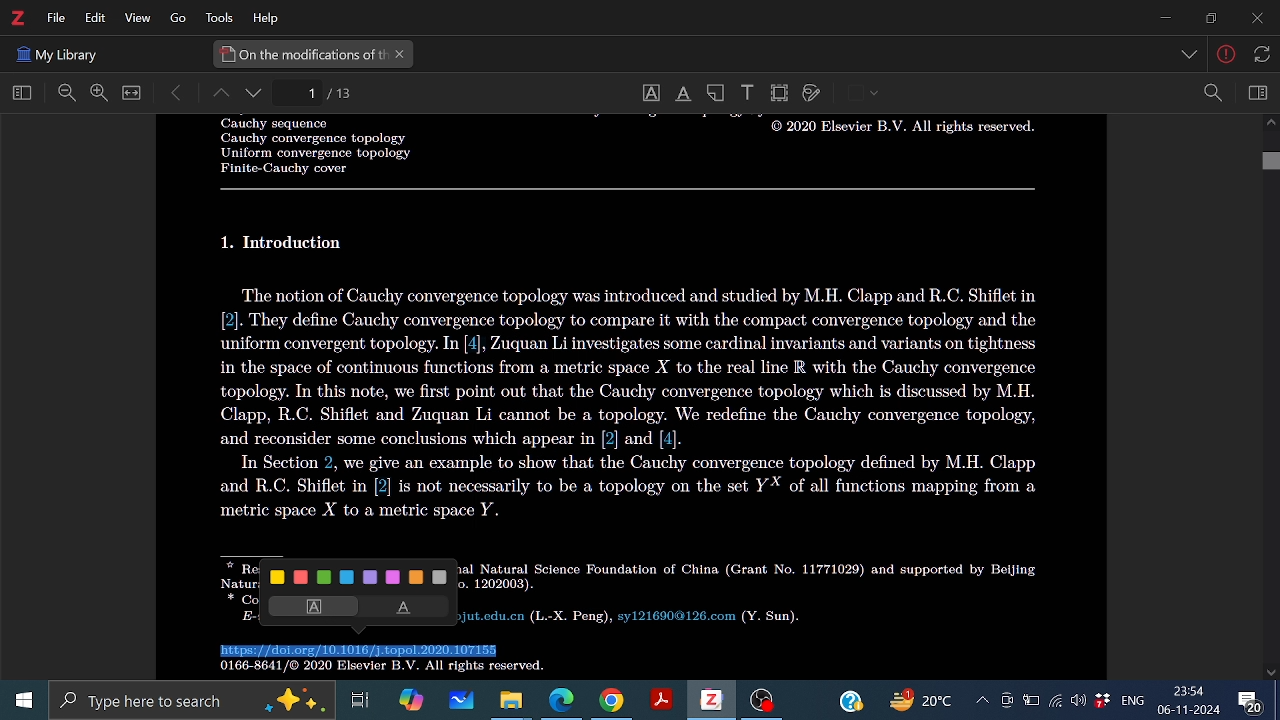  Describe the element at coordinates (1006, 701) in the screenshot. I see `Meet` at that location.